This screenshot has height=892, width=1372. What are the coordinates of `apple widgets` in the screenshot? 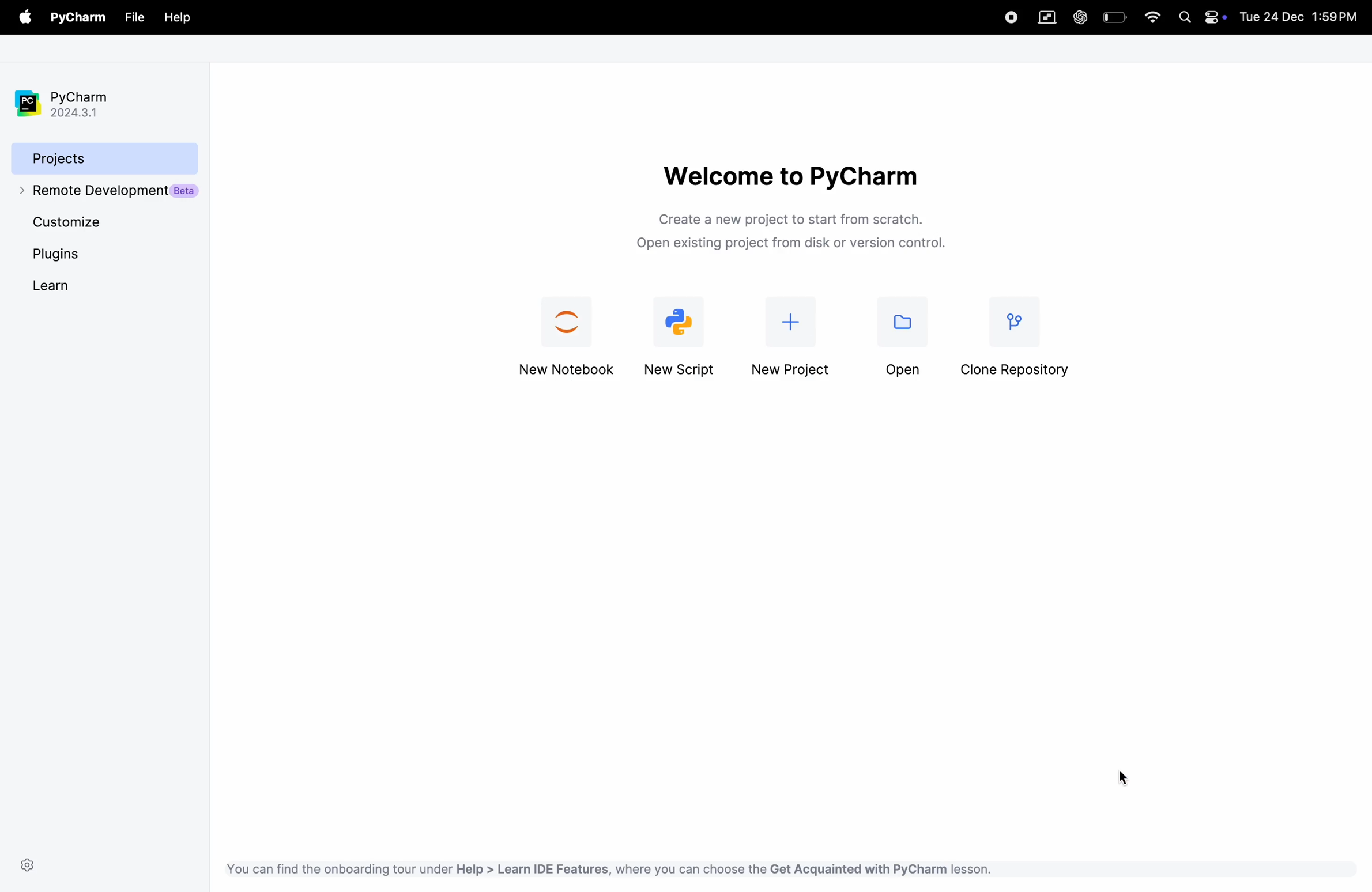 It's located at (1200, 20).